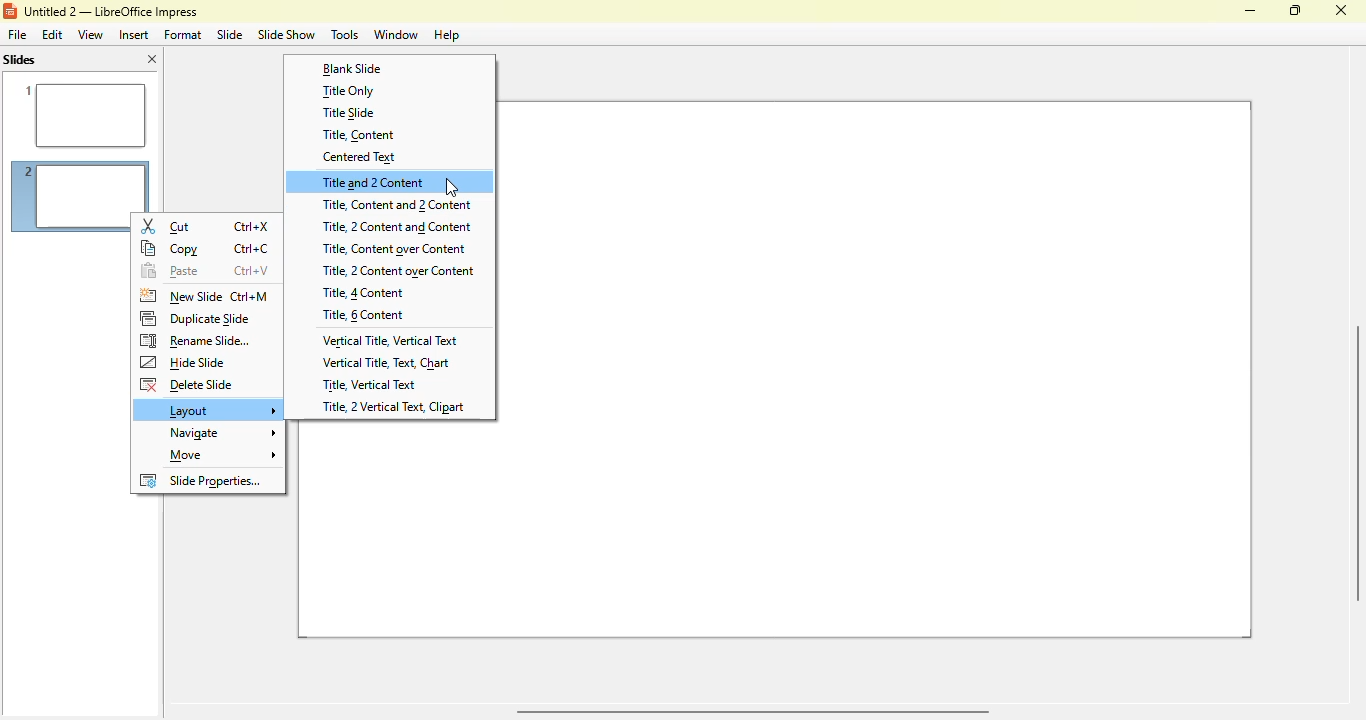 The width and height of the screenshot is (1366, 720). I want to click on hide slide, so click(184, 363).